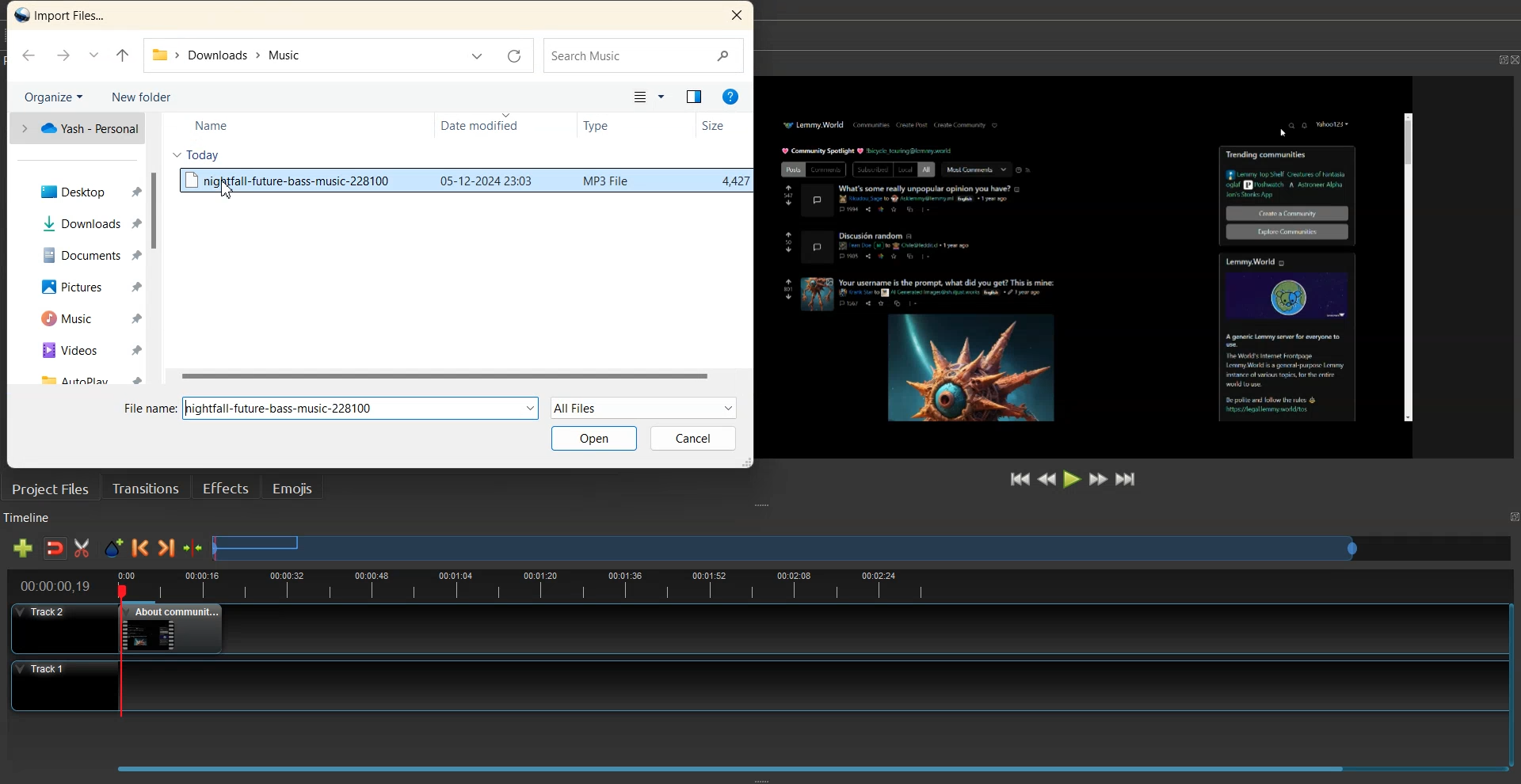 The image size is (1521, 784). What do you see at coordinates (75, 190) in the screenshot?
I see `Desktop` at bounding box center [75, 190].